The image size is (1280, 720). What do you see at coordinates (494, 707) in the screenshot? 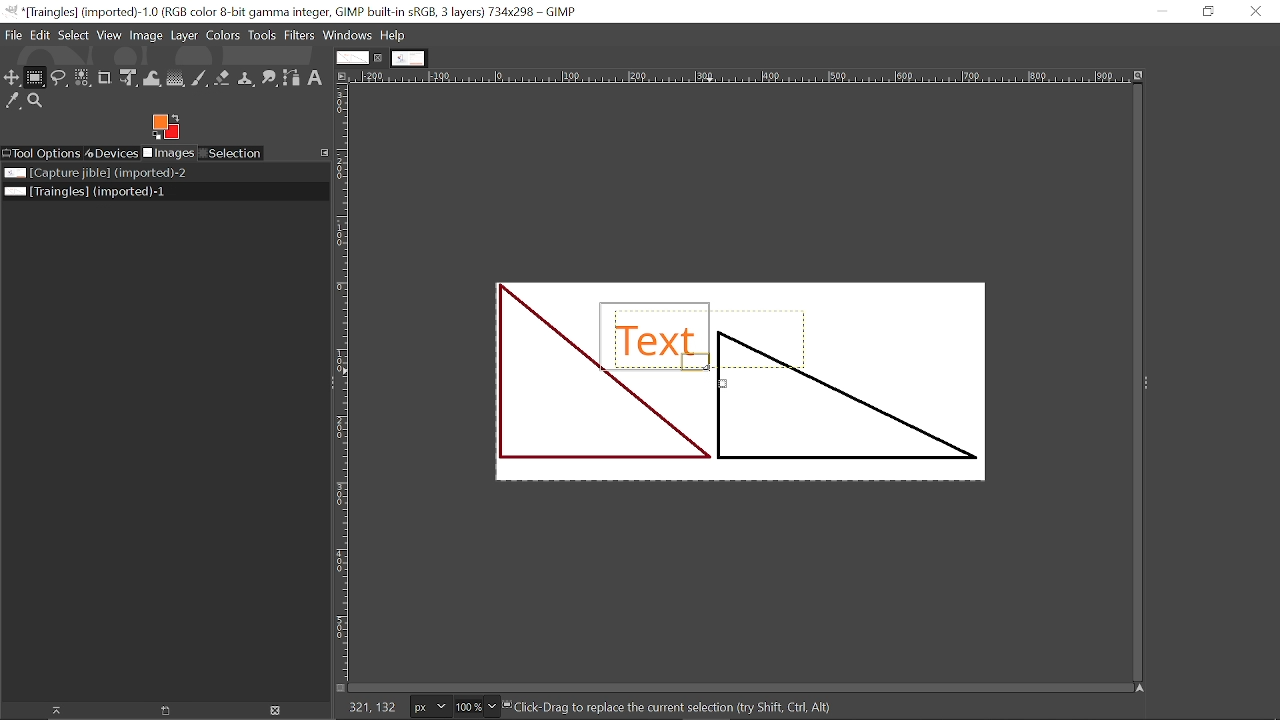
I see `Zoom options` at bounding box center [494, 707].